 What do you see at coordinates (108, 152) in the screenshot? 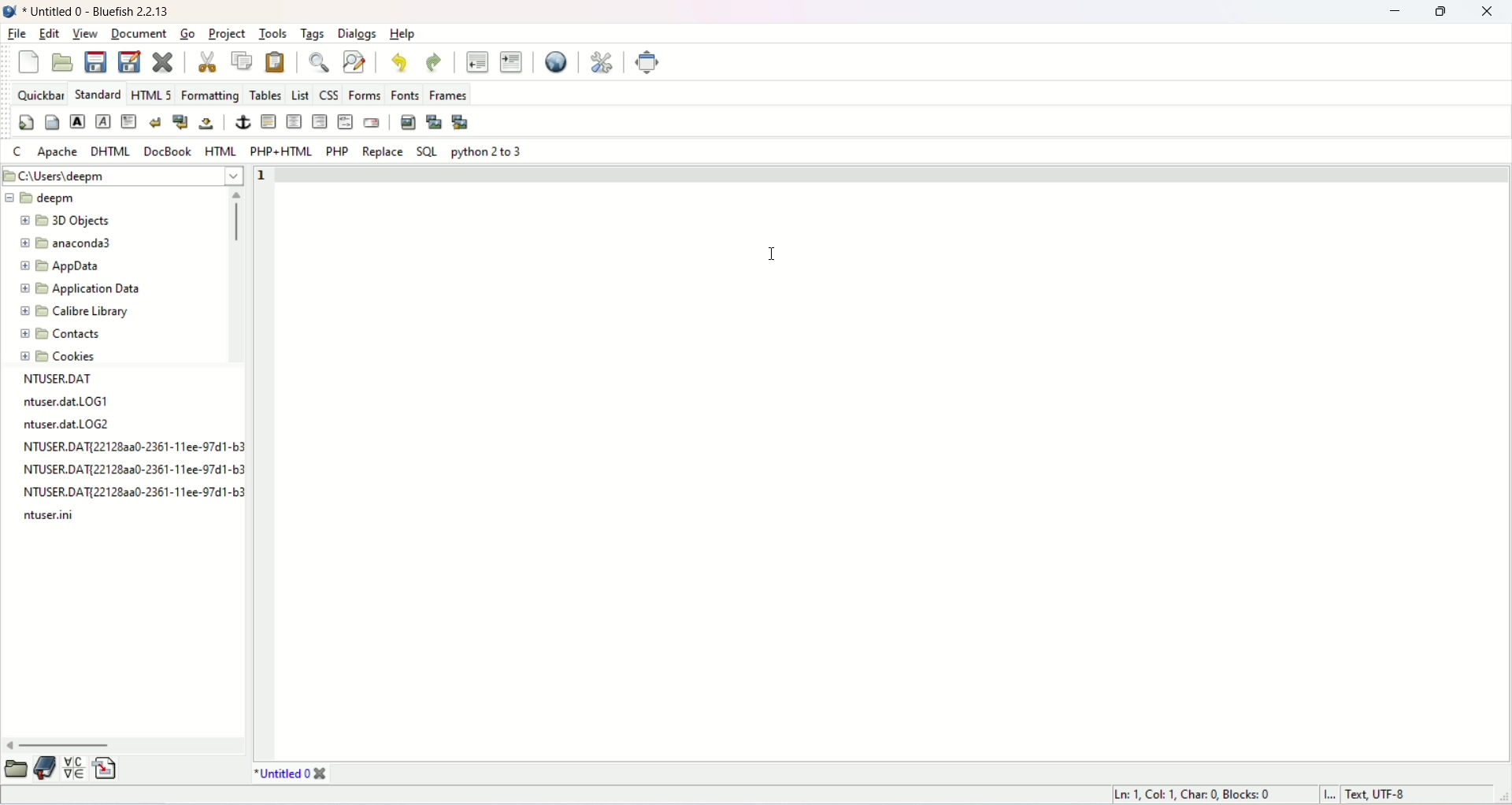
I see `DHTML` at bounding box center [108, 152].